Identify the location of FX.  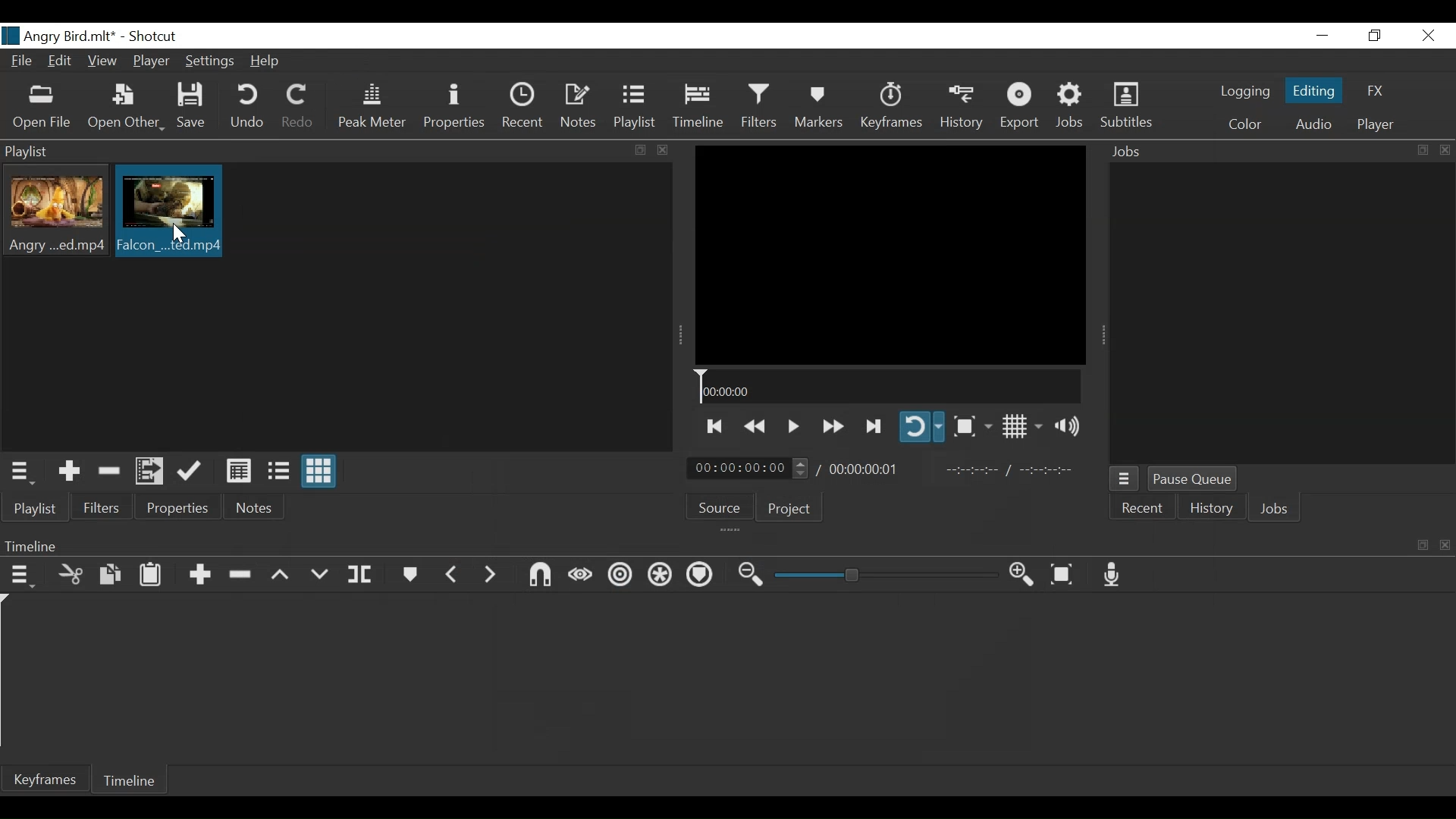
(1373, 93).